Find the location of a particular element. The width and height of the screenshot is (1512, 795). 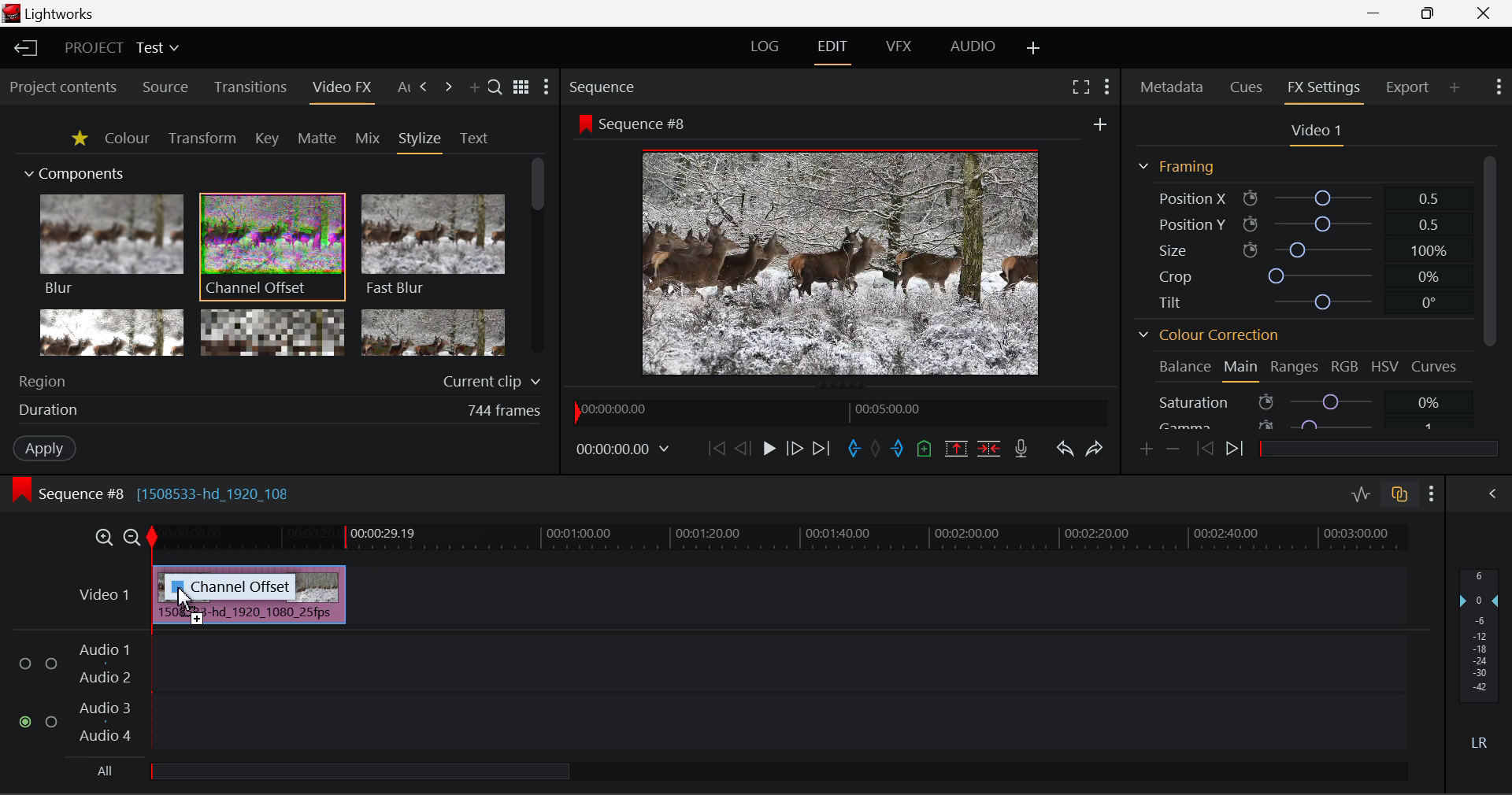

Region is located at coordinates (283, 379).